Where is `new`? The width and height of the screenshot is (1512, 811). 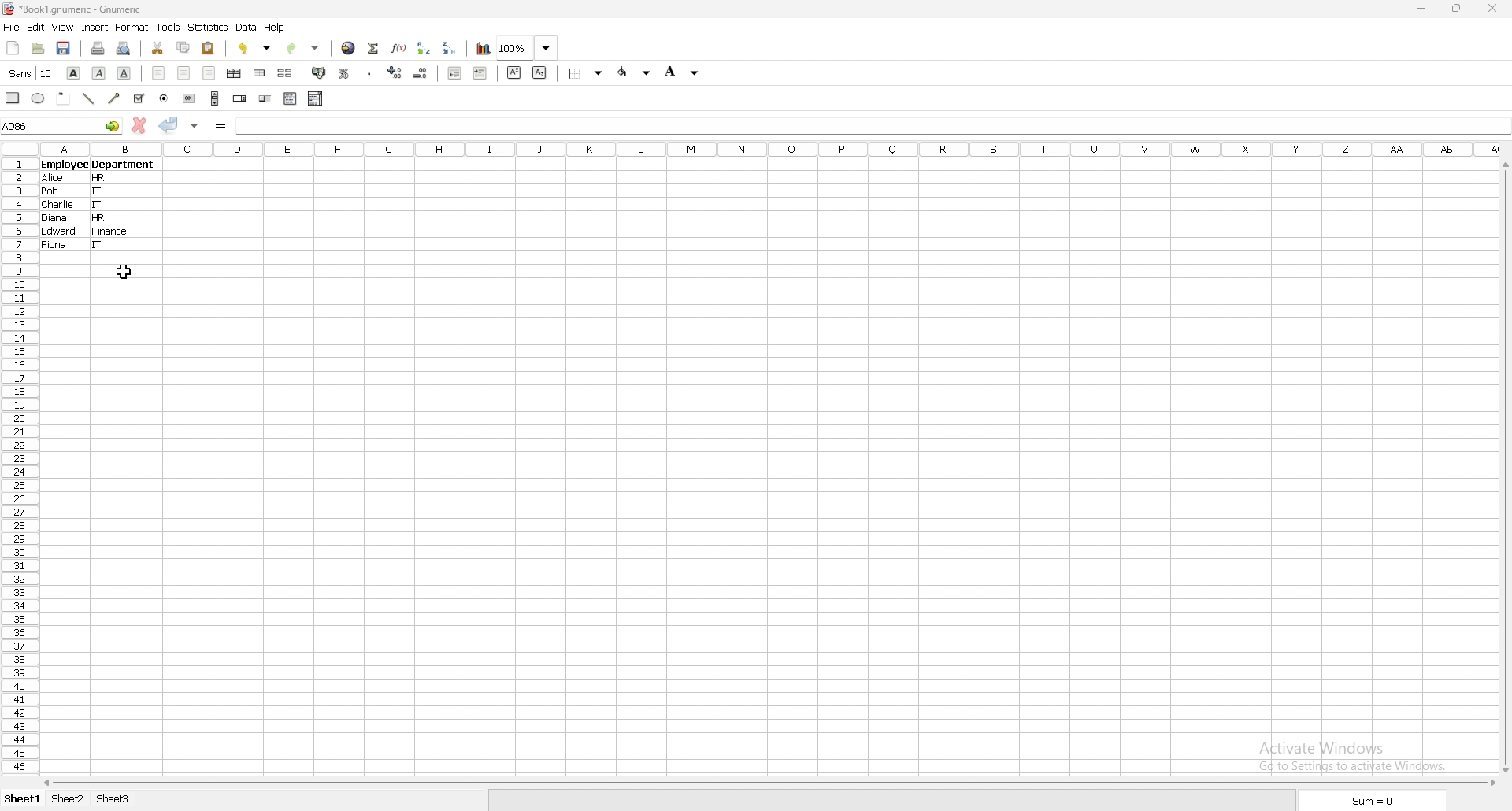
new is located at coordinates (12, 48).